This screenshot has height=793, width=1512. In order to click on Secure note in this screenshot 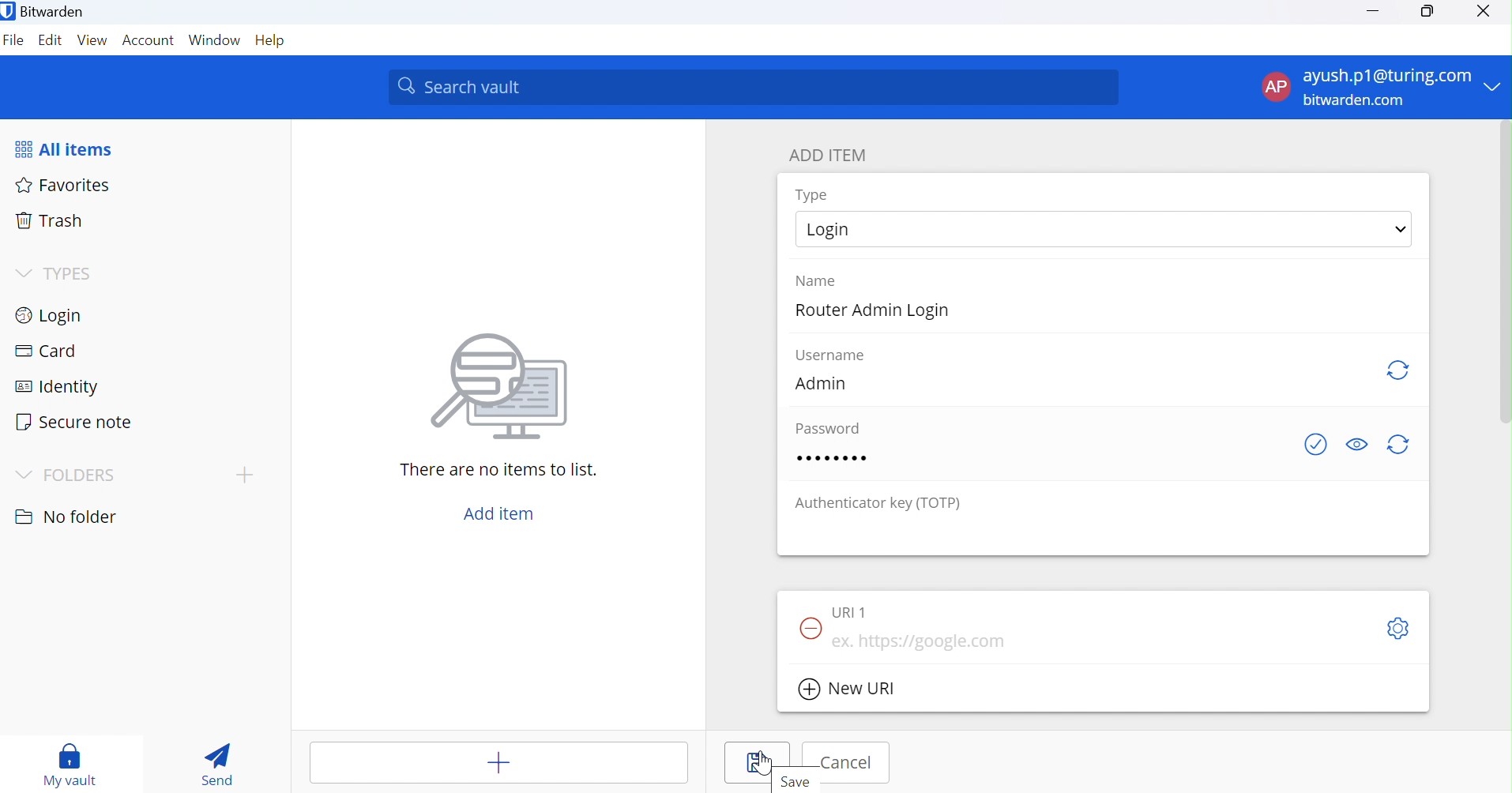, I will do `click(77, 421)`.